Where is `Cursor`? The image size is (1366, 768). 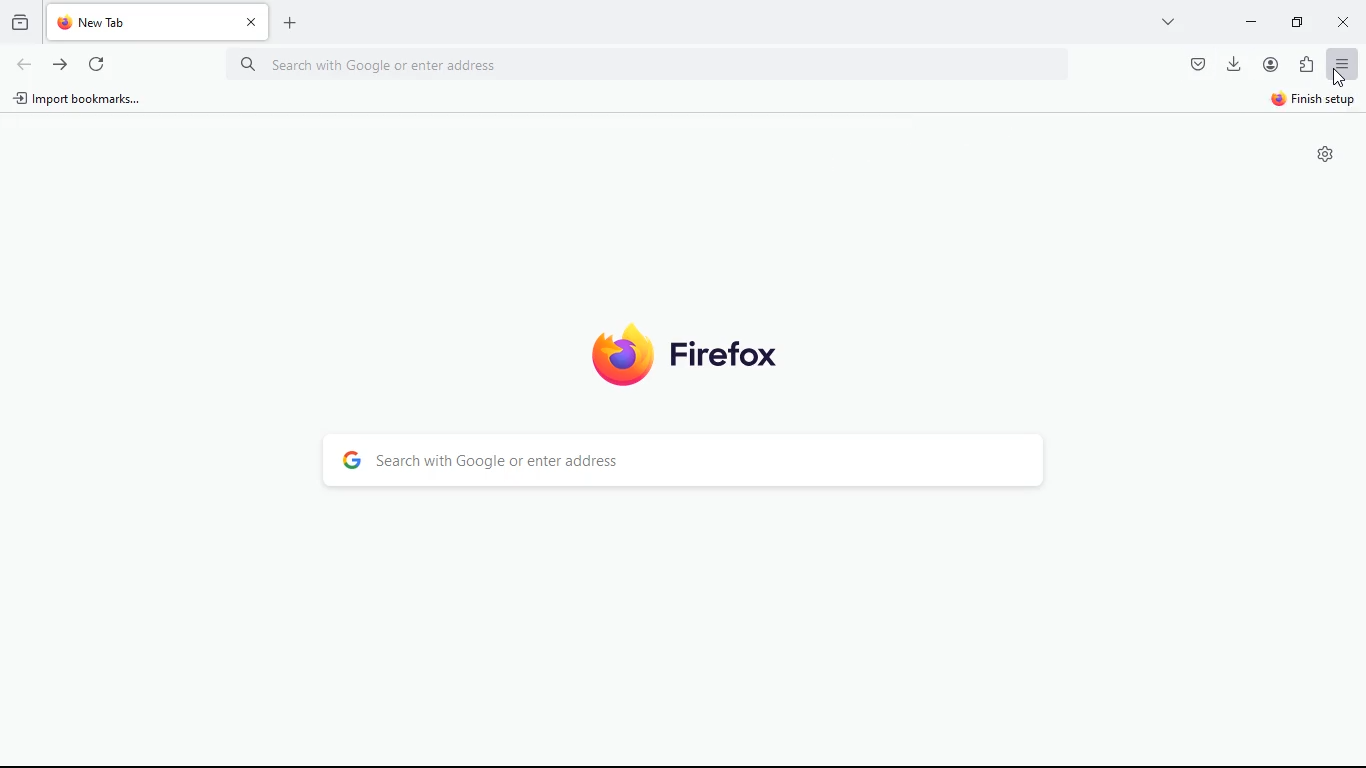
Cursor is located at coordinates (1340, 75).